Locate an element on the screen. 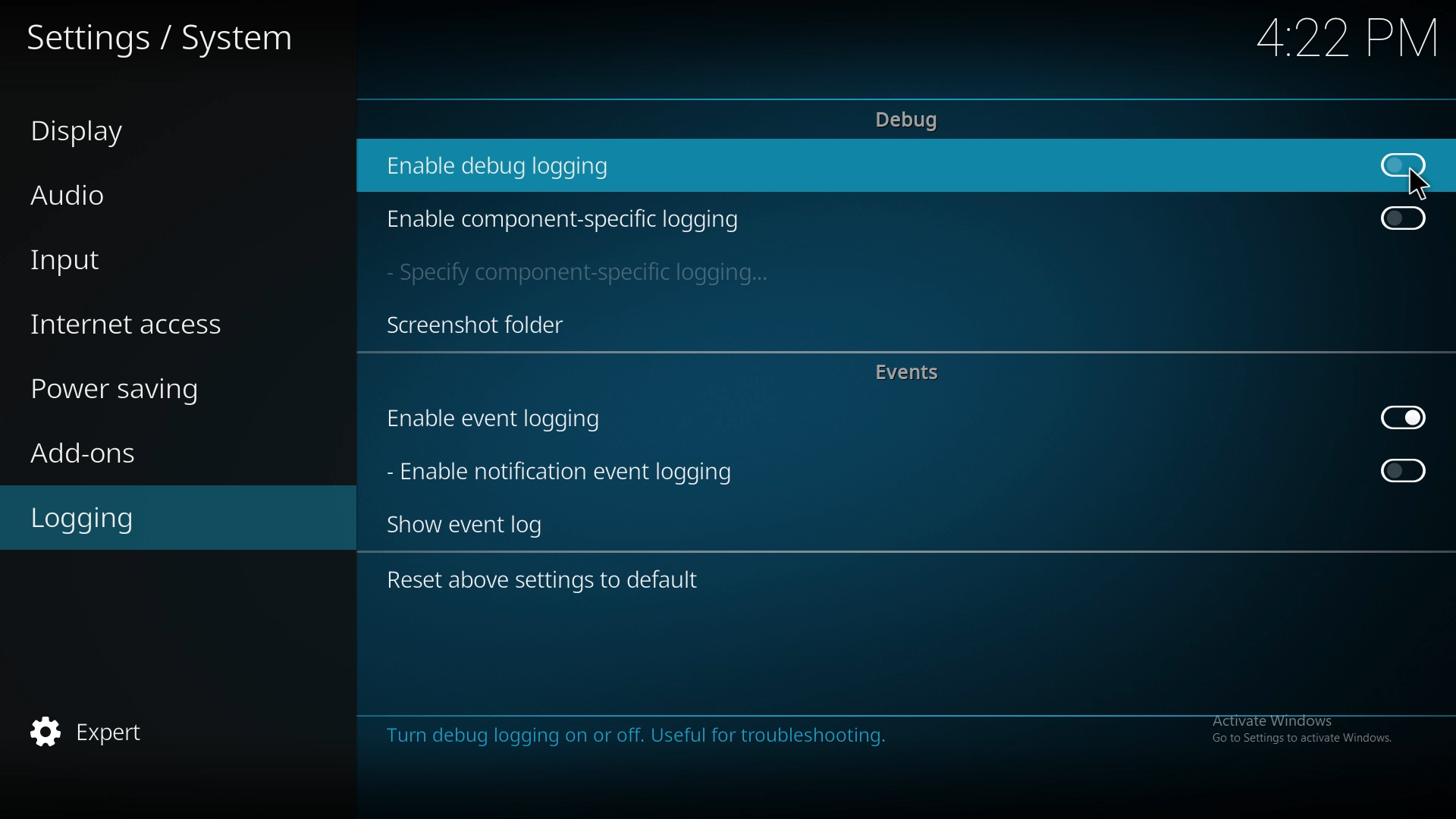  reset above settings to default is located at coordinates (556, 582).